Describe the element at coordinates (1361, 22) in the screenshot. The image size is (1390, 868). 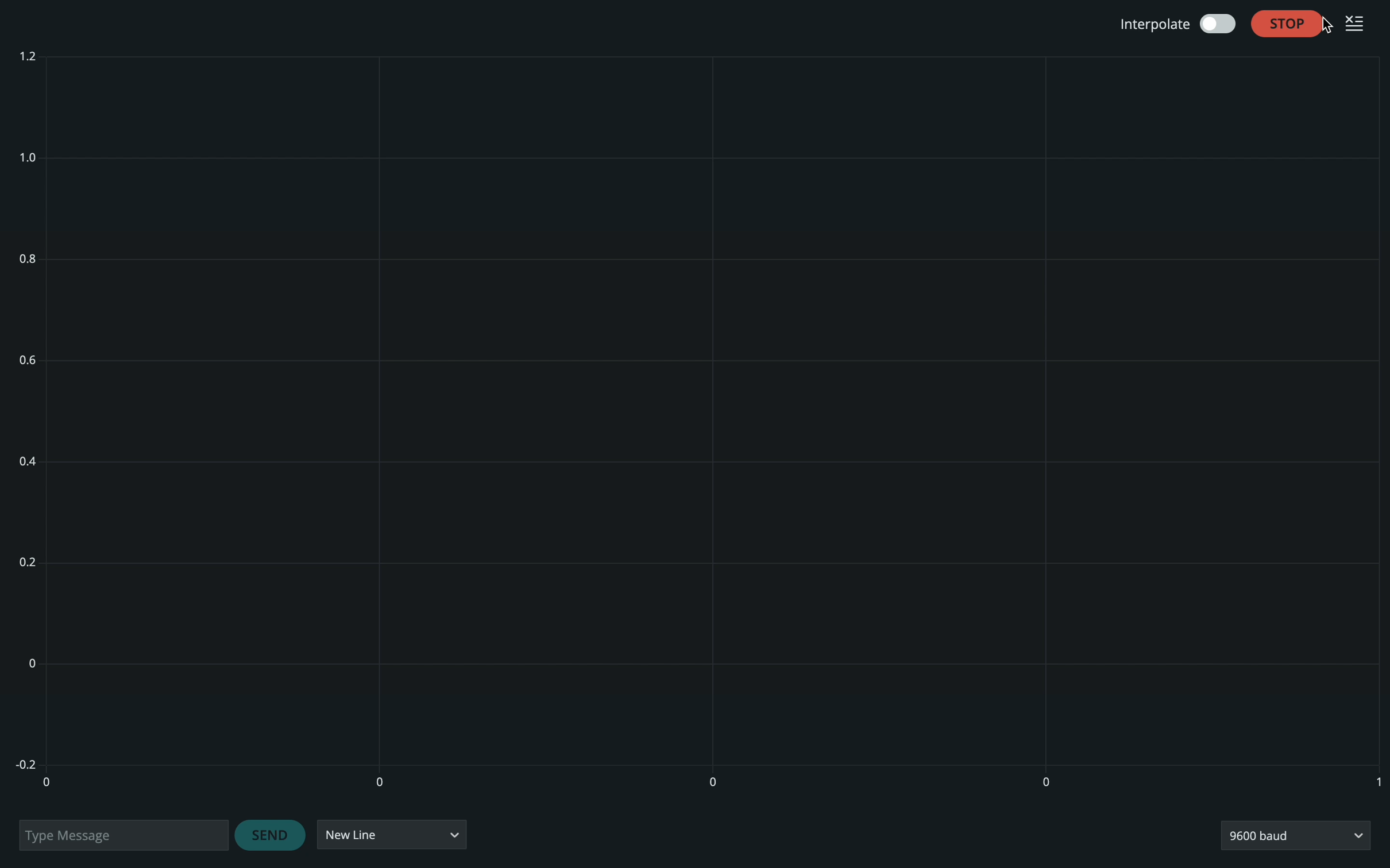
I see `clear` at that location.